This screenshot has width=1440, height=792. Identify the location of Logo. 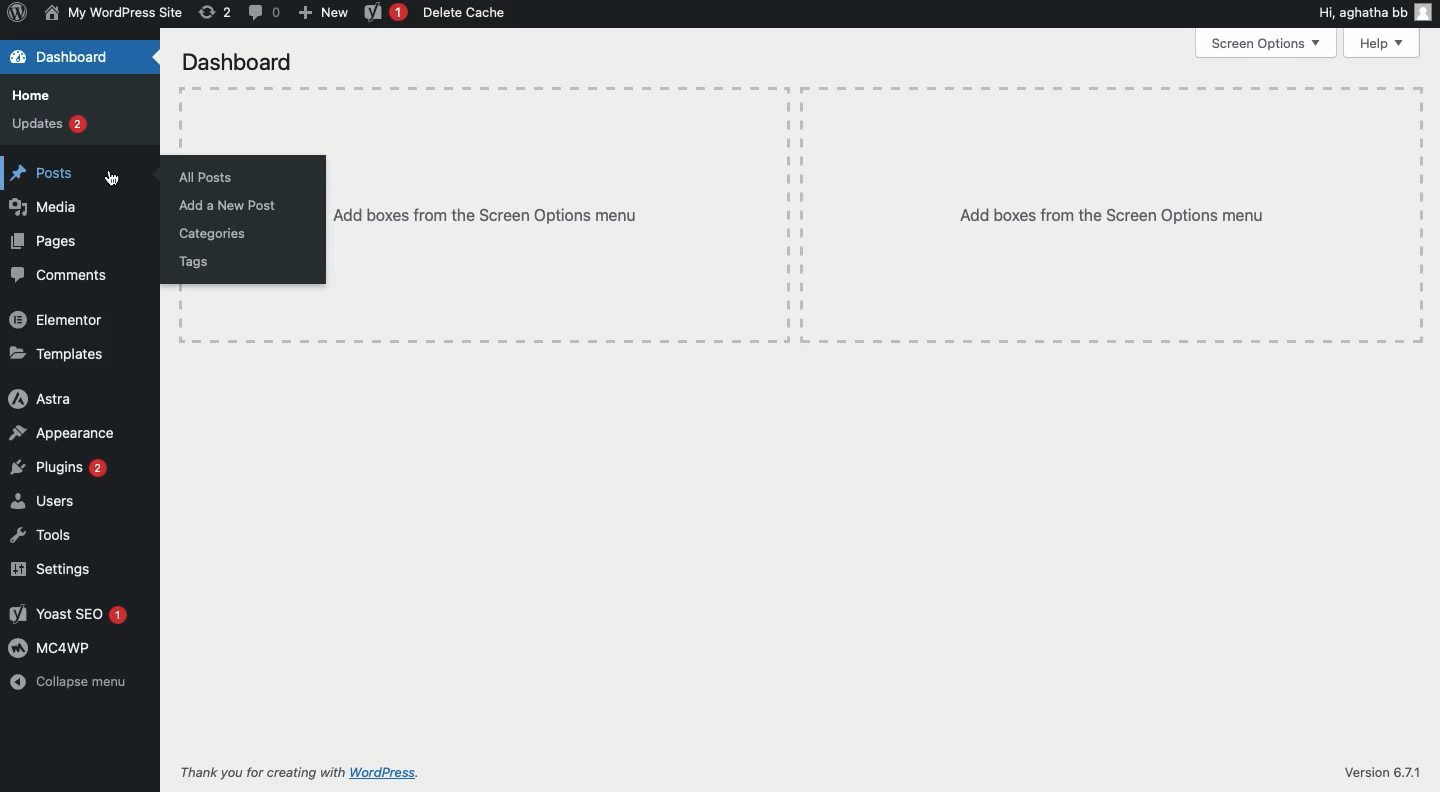
(18, 14).